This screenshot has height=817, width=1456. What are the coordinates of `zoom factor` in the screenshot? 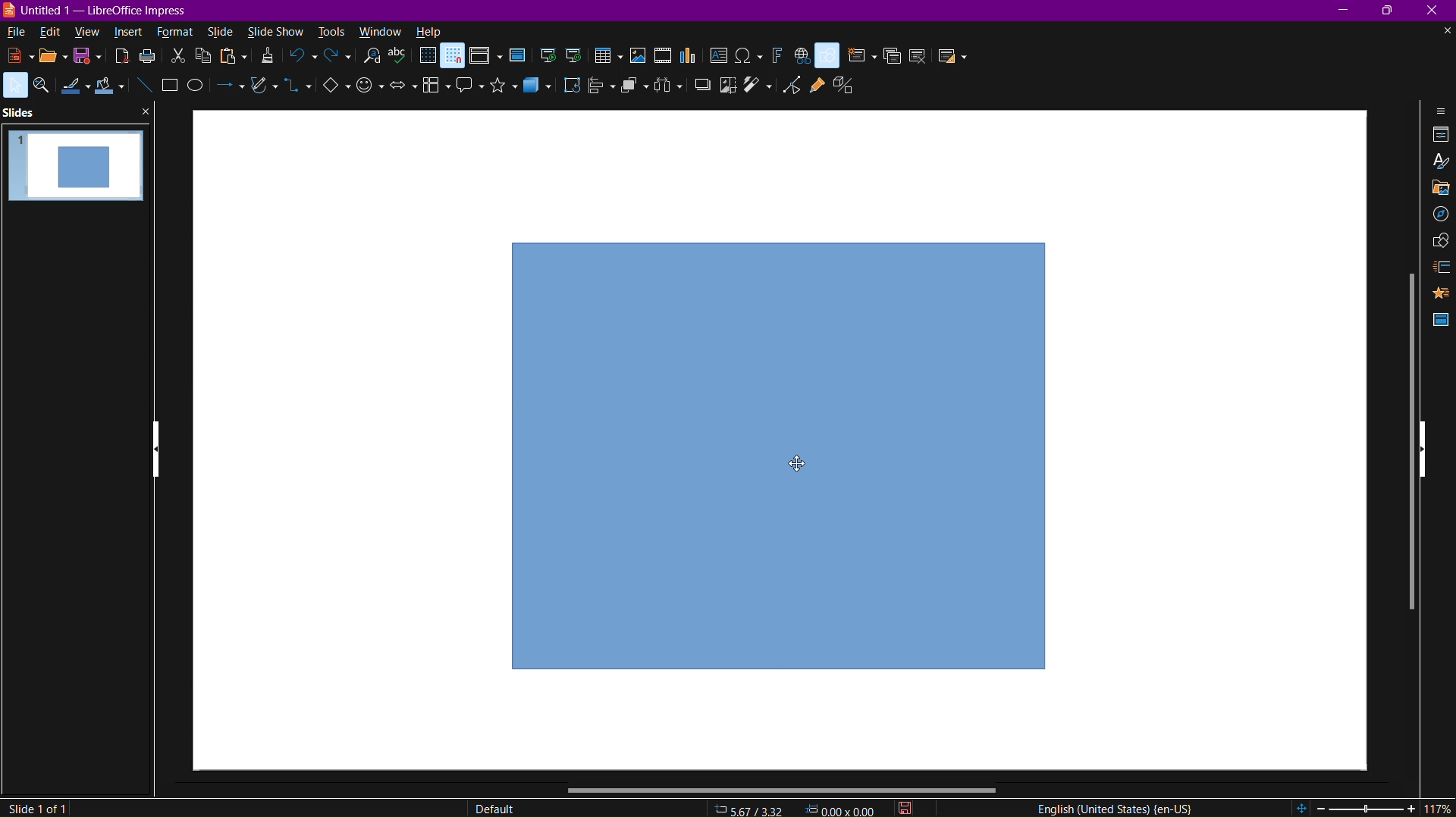 It's located at (1438, 807).